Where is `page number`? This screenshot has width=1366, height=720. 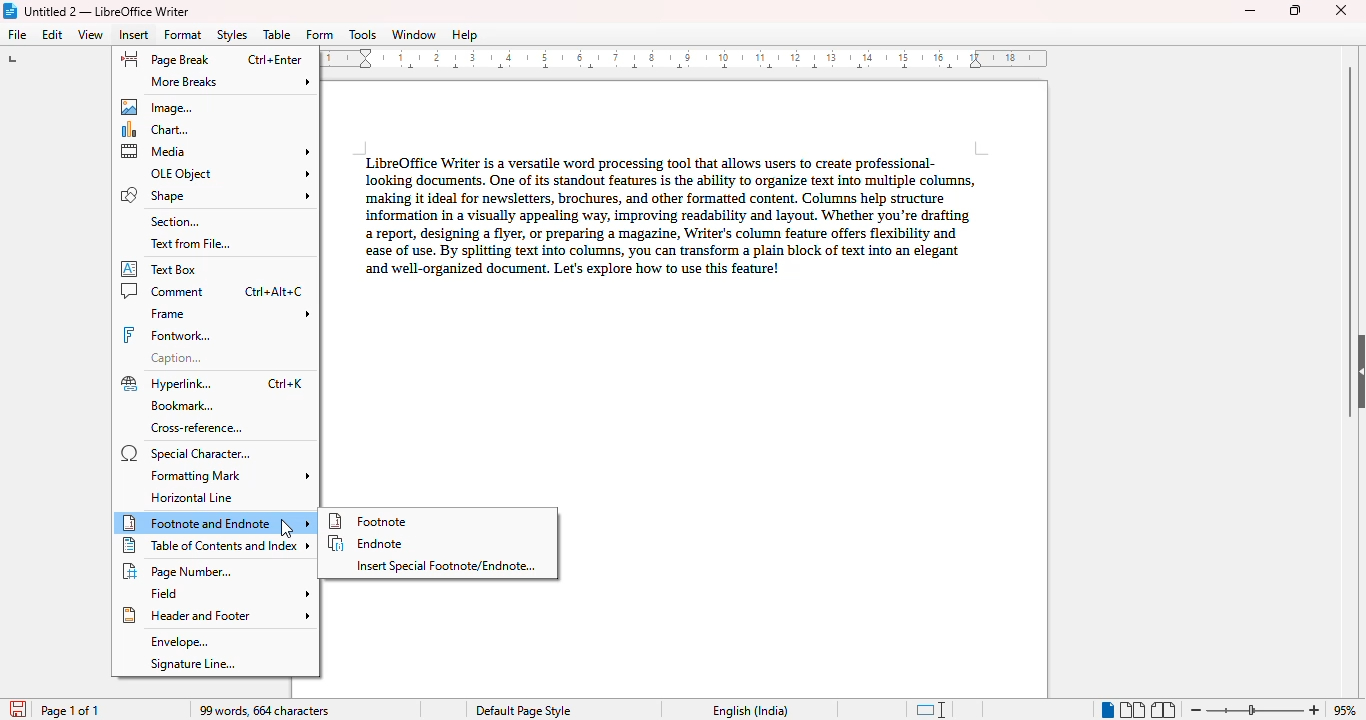
page number is located at coordinates (180, 571).